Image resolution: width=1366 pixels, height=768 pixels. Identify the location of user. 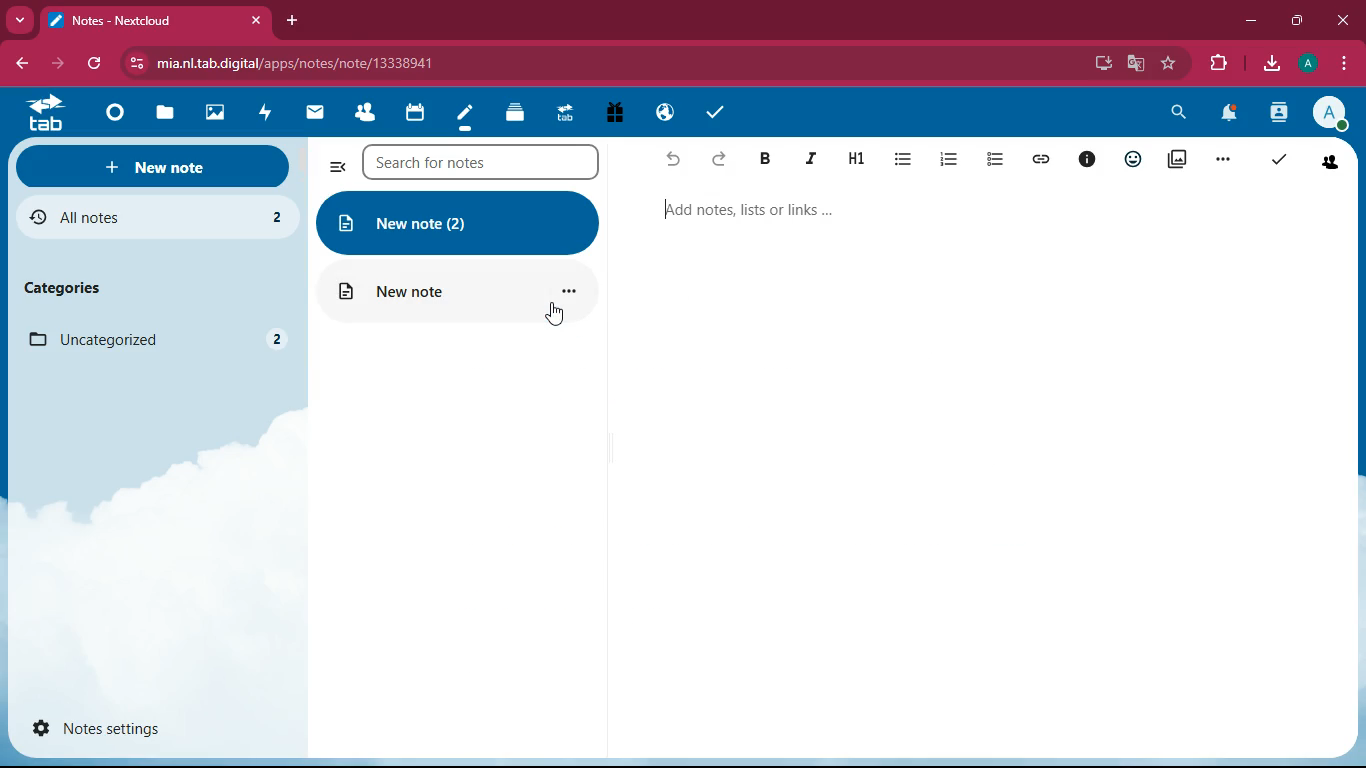
(1278, 114).